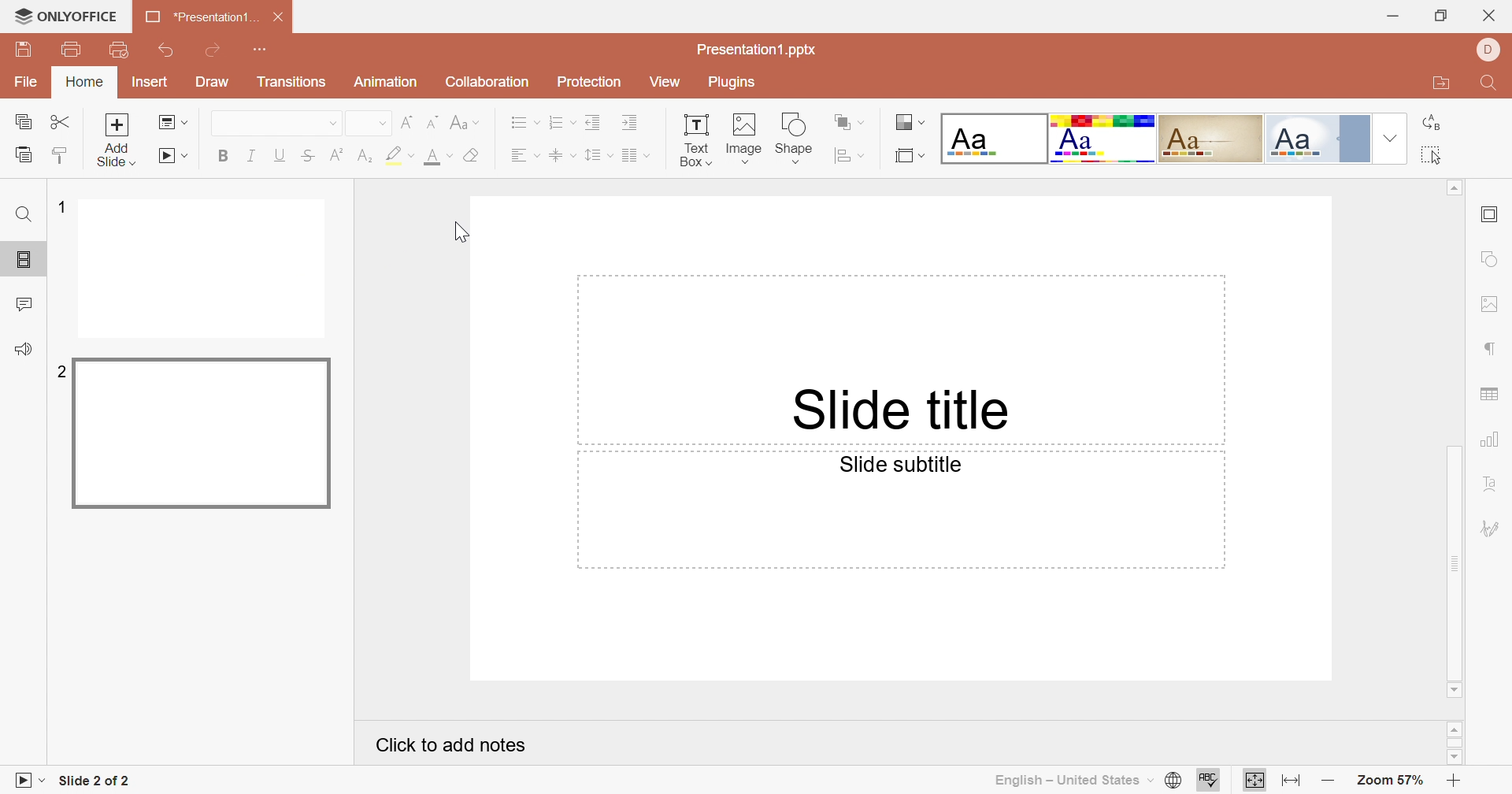 This screenshot has width=1512, height=794. Describe the element at coordinates (1292, 785) in the screenshot. I see `Fit to slide` at that location.